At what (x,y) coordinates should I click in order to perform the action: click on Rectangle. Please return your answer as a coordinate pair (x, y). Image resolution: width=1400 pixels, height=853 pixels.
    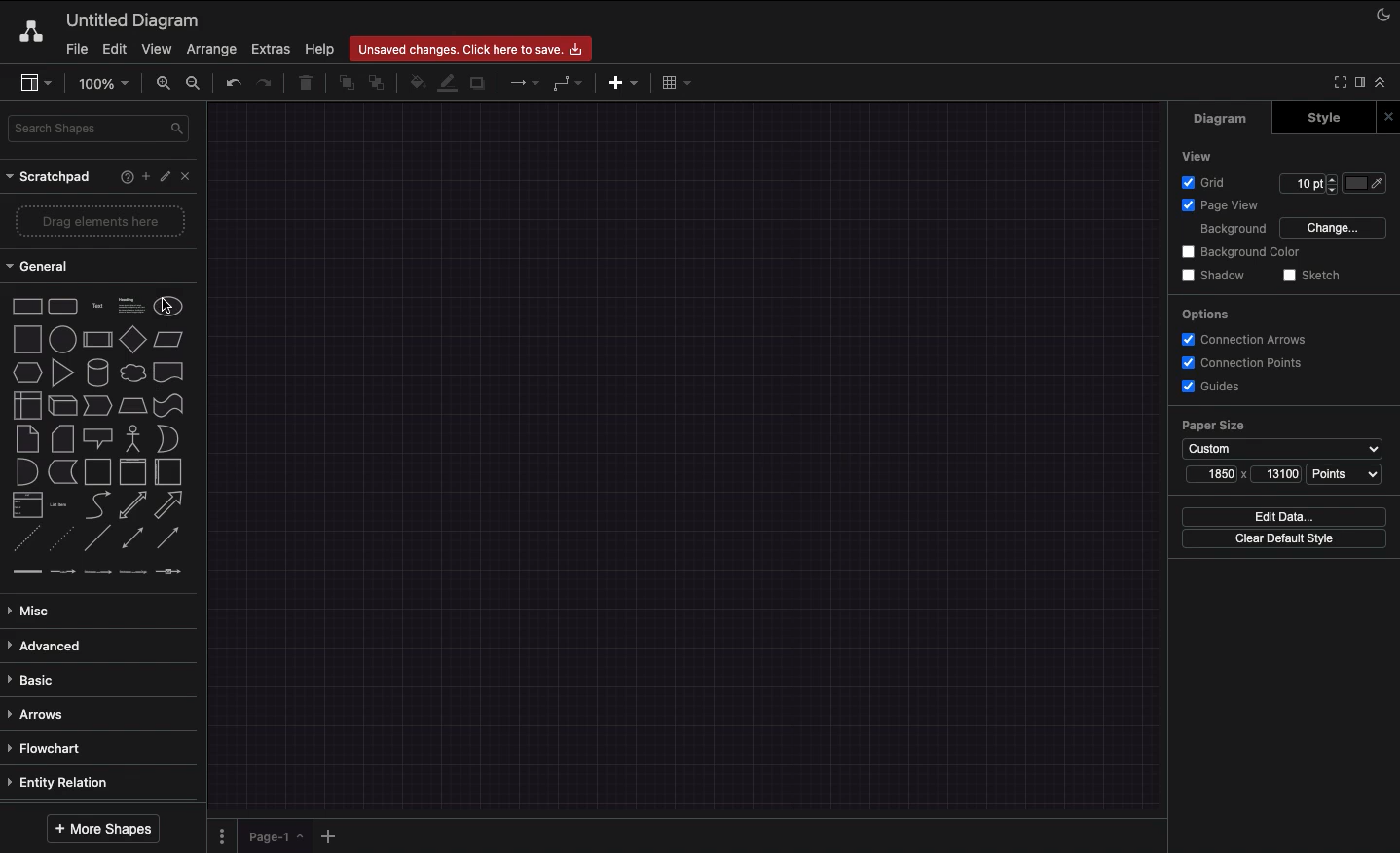
    Looking at the image, I should click on (25, 305).